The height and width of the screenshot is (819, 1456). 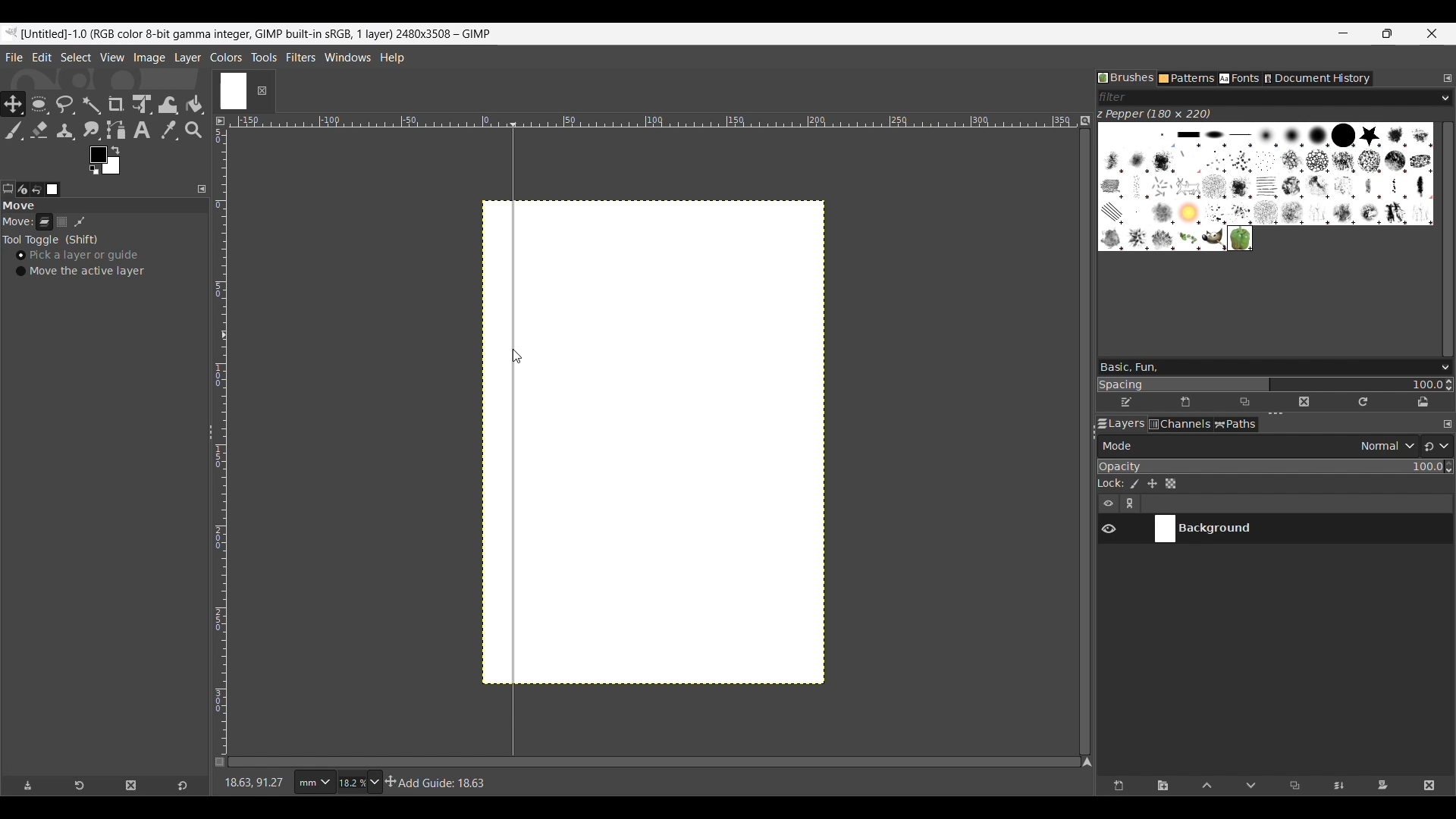 What do you see at coordinates (1153, 115) in the screenshot?
I see `Name of current brush and its dimension` at bounding box center [1153, 115].